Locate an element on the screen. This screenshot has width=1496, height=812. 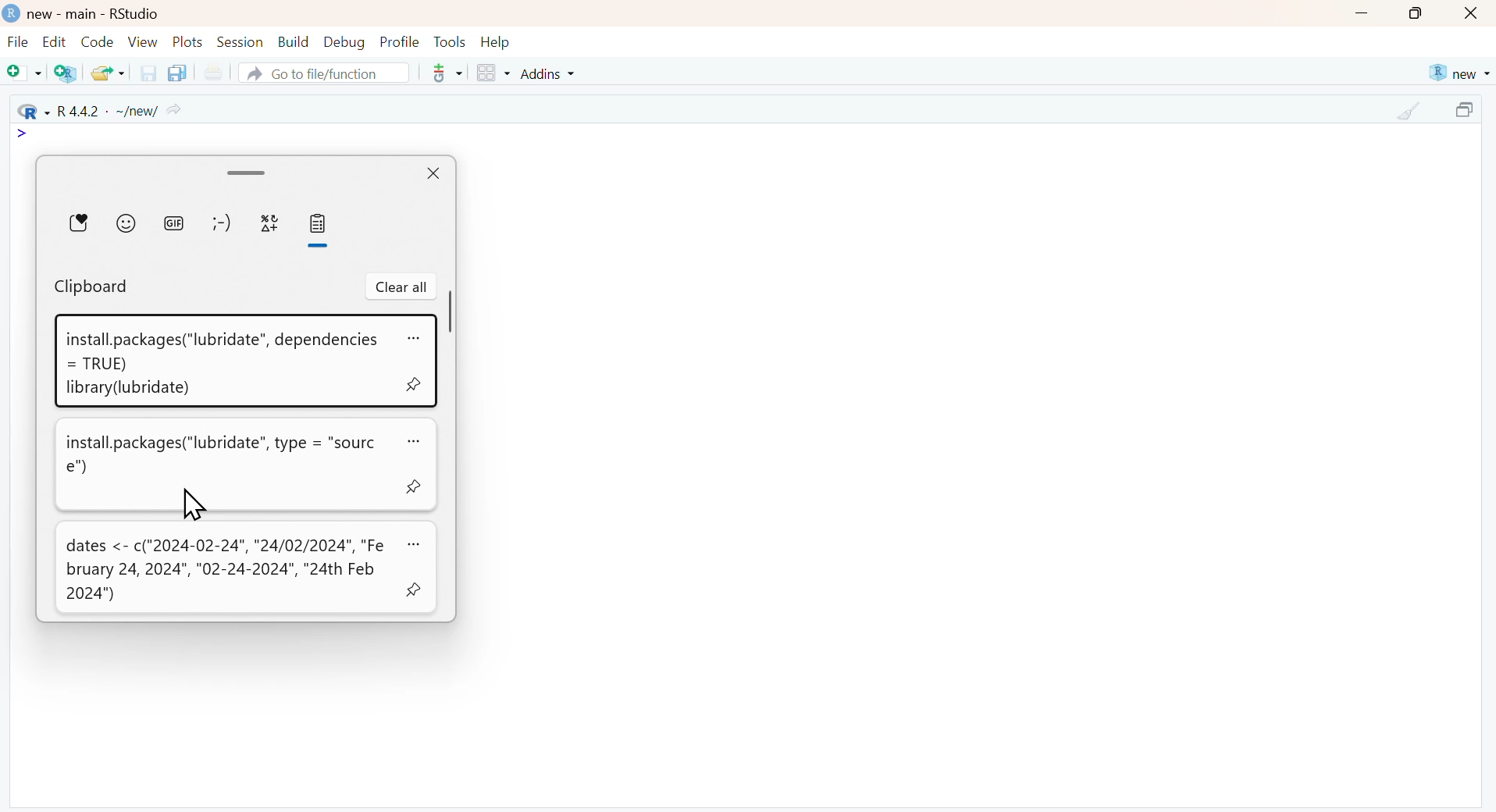
install.packages("lubridate”, dependencies
= TRUE)
library(lubridate) is located at coordinates (221, 365).